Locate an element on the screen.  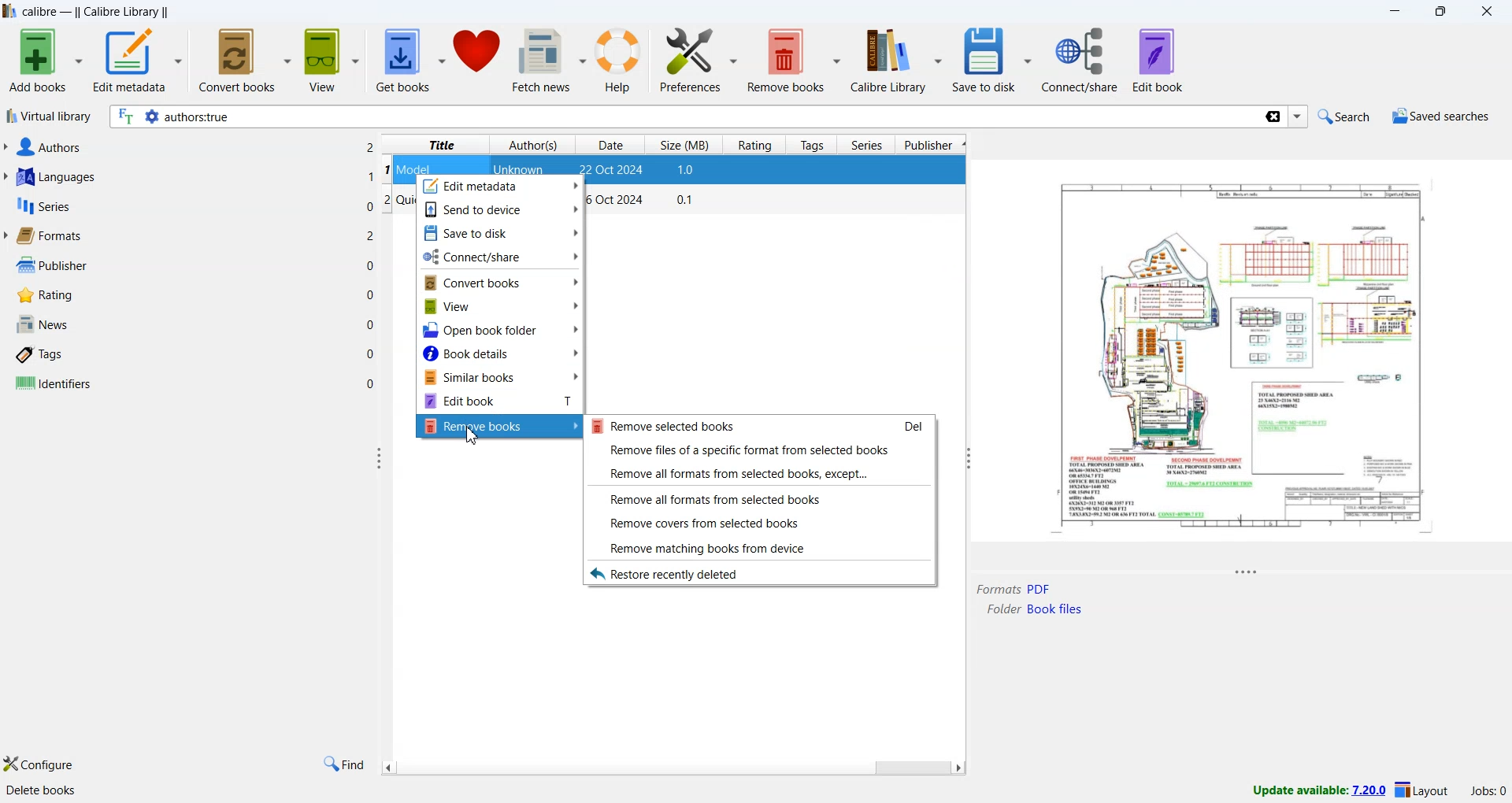
find is located at coordinates (343, 764).